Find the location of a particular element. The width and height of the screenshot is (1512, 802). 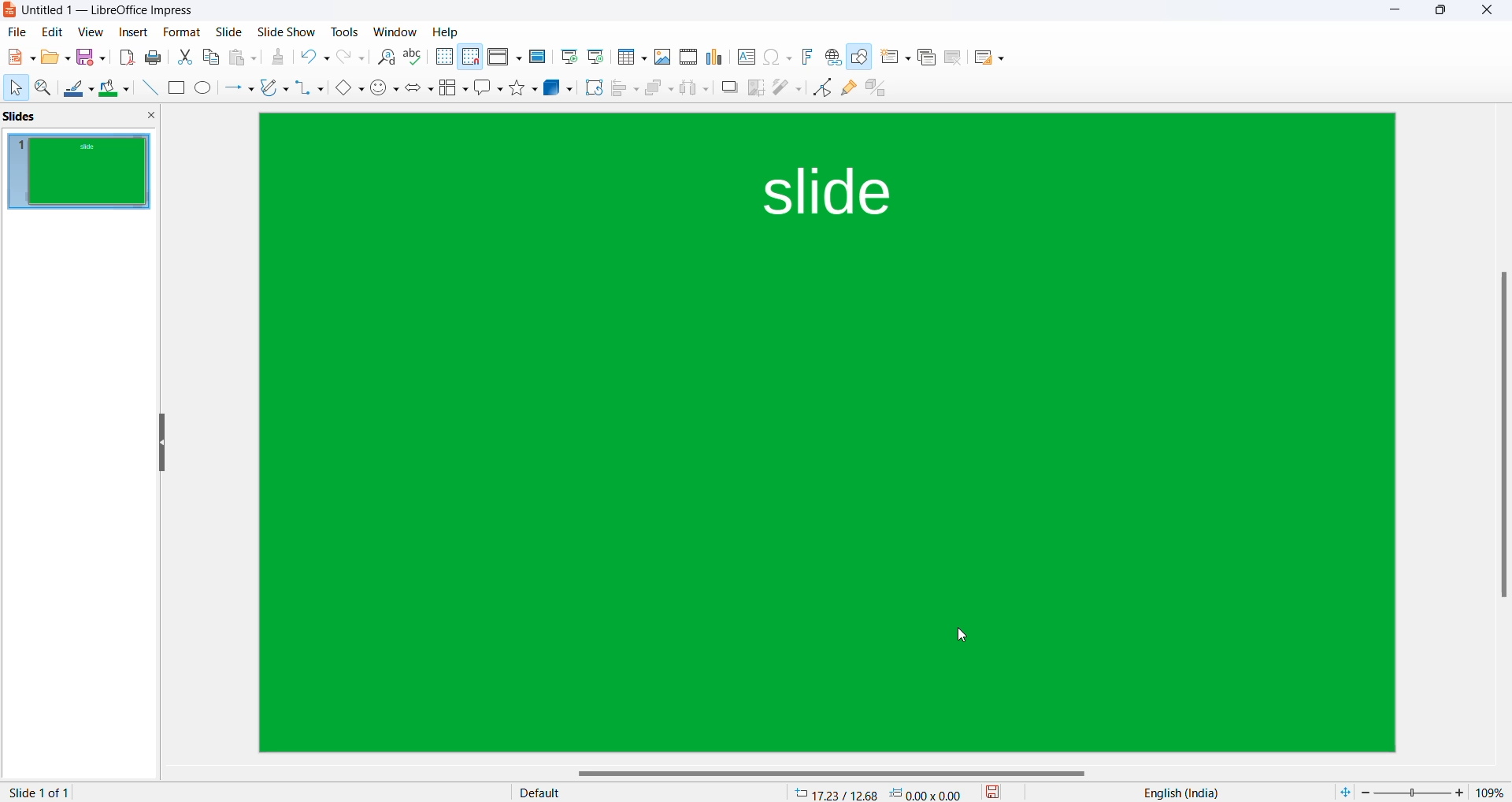

insert charts  is located at coordinates (716, 57).